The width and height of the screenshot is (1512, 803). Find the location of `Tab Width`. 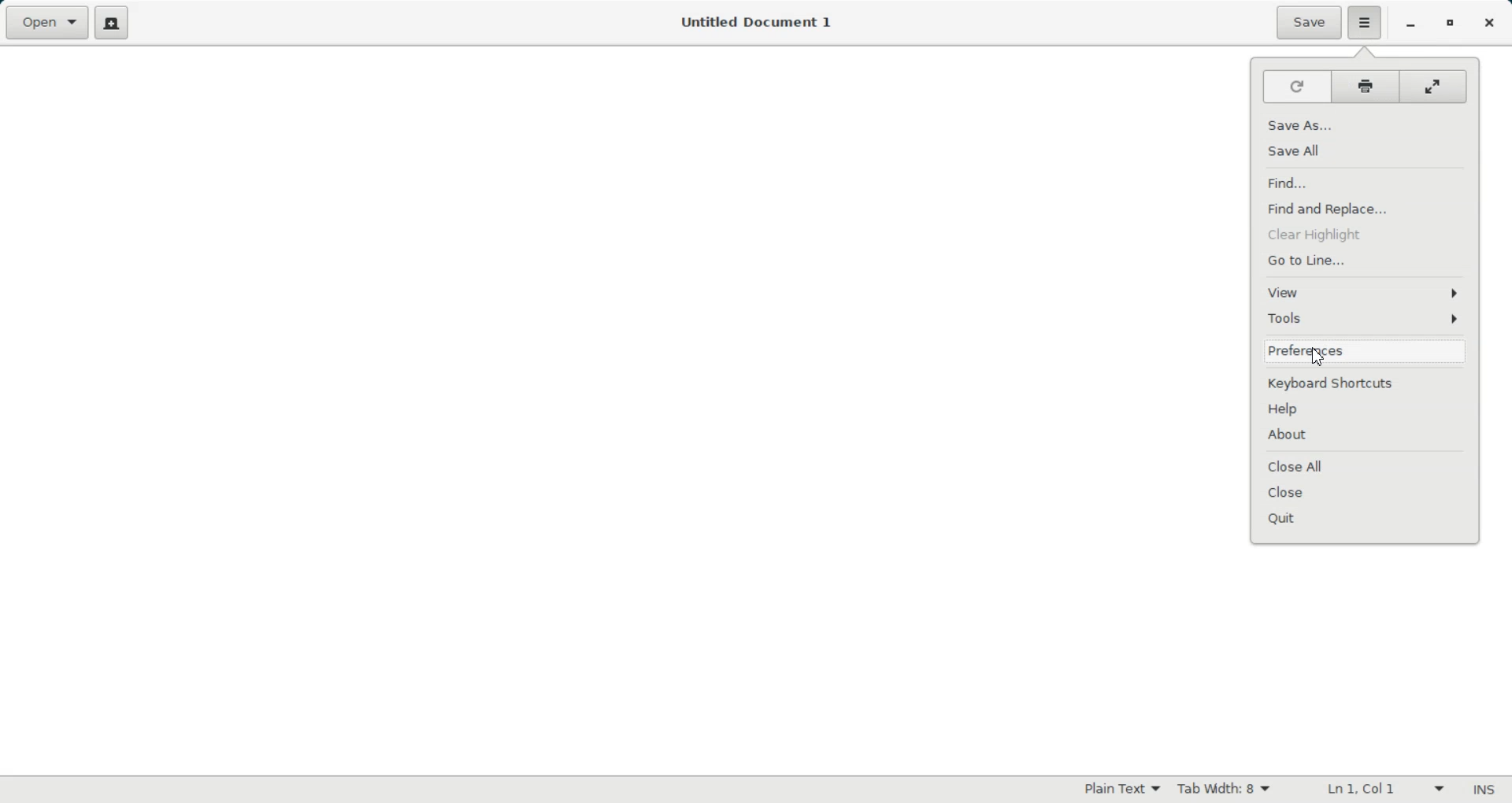

Tab Width is located at coordinates (1223, 789).